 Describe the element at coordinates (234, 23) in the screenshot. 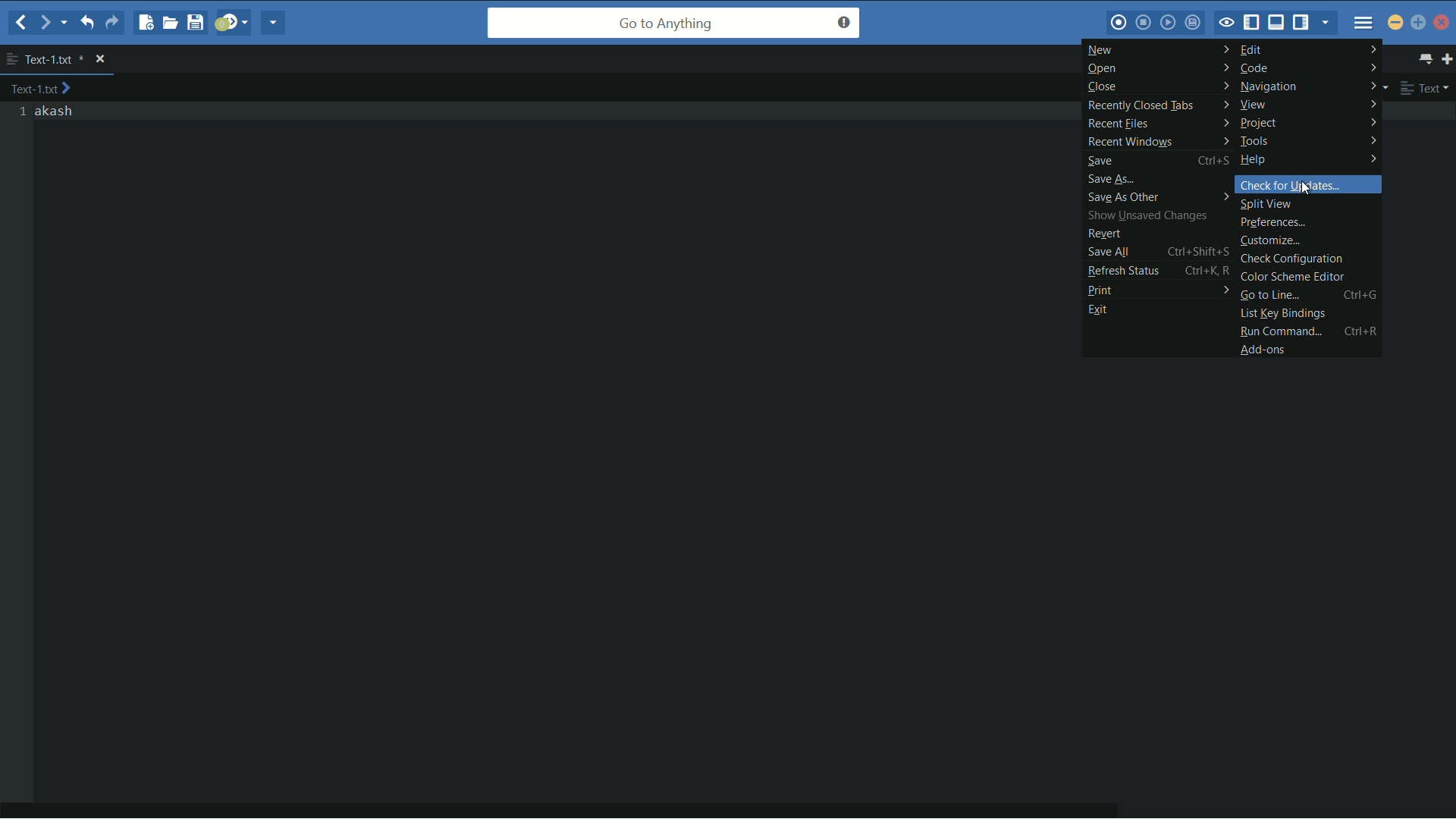

I see `jump to next syntax checking result` at that location.